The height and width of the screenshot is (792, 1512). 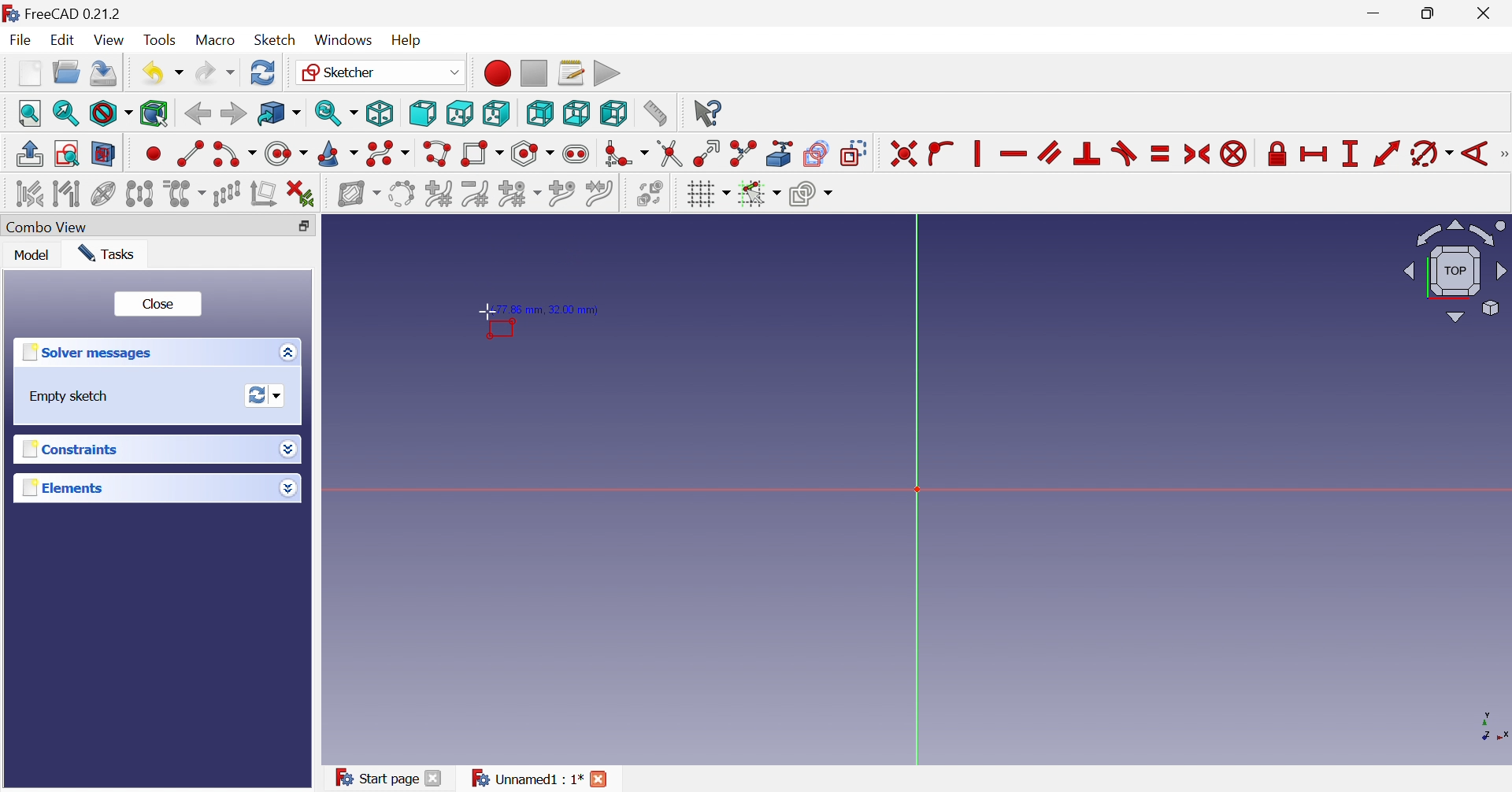 What do you see at coordinates (343, 41) in the screenshot?
I see `Windows` at bounding box center [343, 41].